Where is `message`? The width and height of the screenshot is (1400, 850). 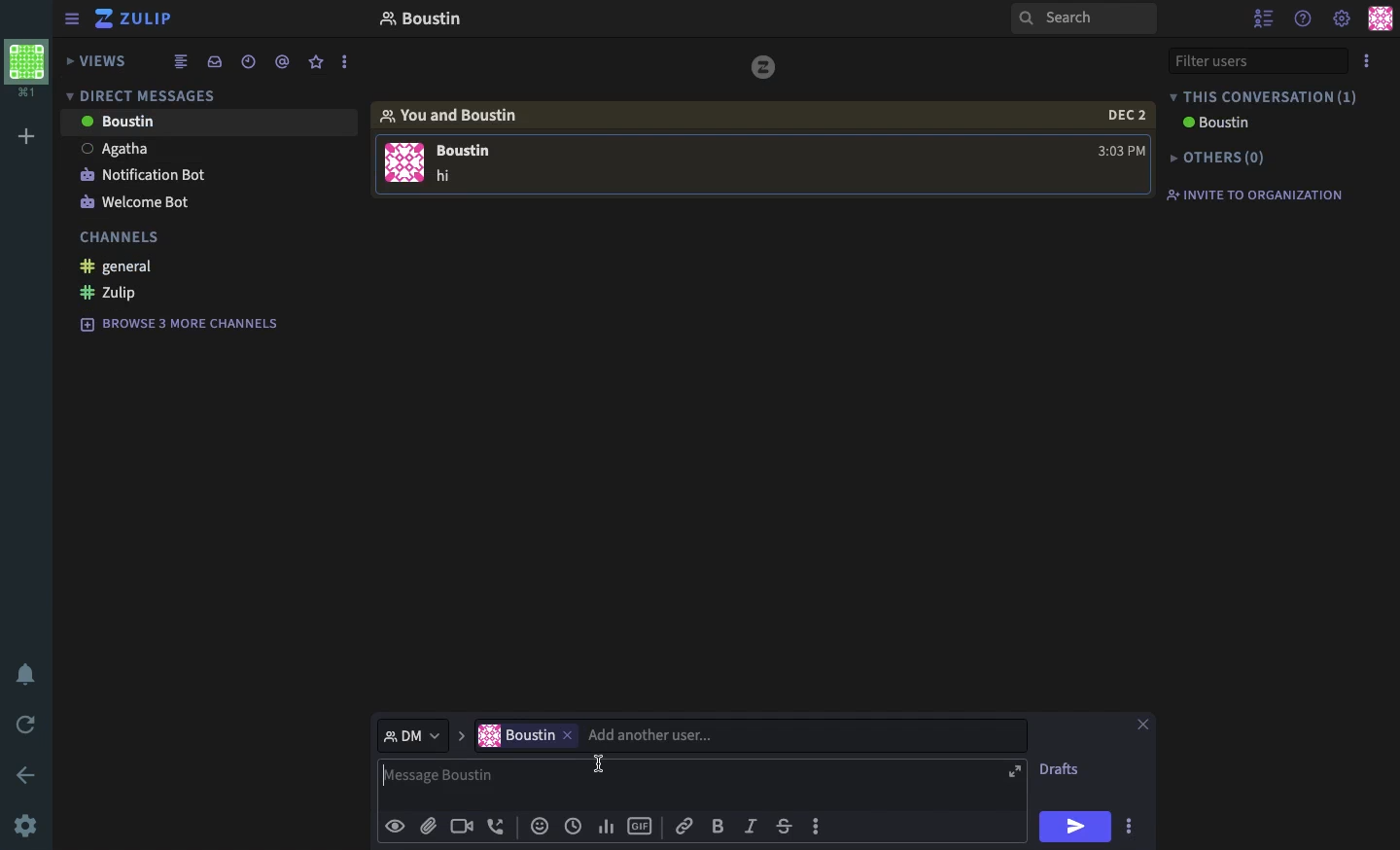
message is located at coordinates (470, 159).